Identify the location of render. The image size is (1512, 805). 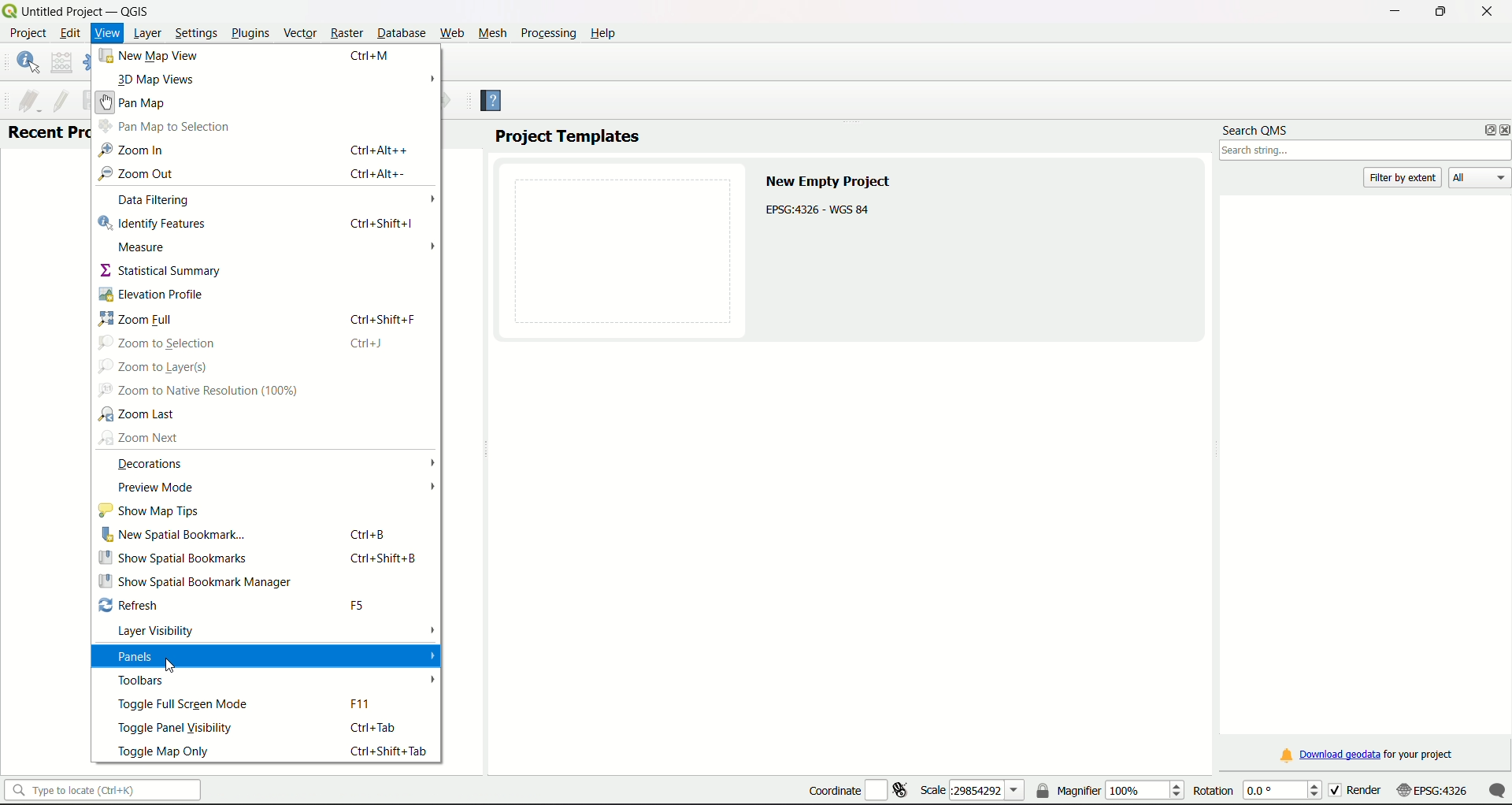
(1369, 791).